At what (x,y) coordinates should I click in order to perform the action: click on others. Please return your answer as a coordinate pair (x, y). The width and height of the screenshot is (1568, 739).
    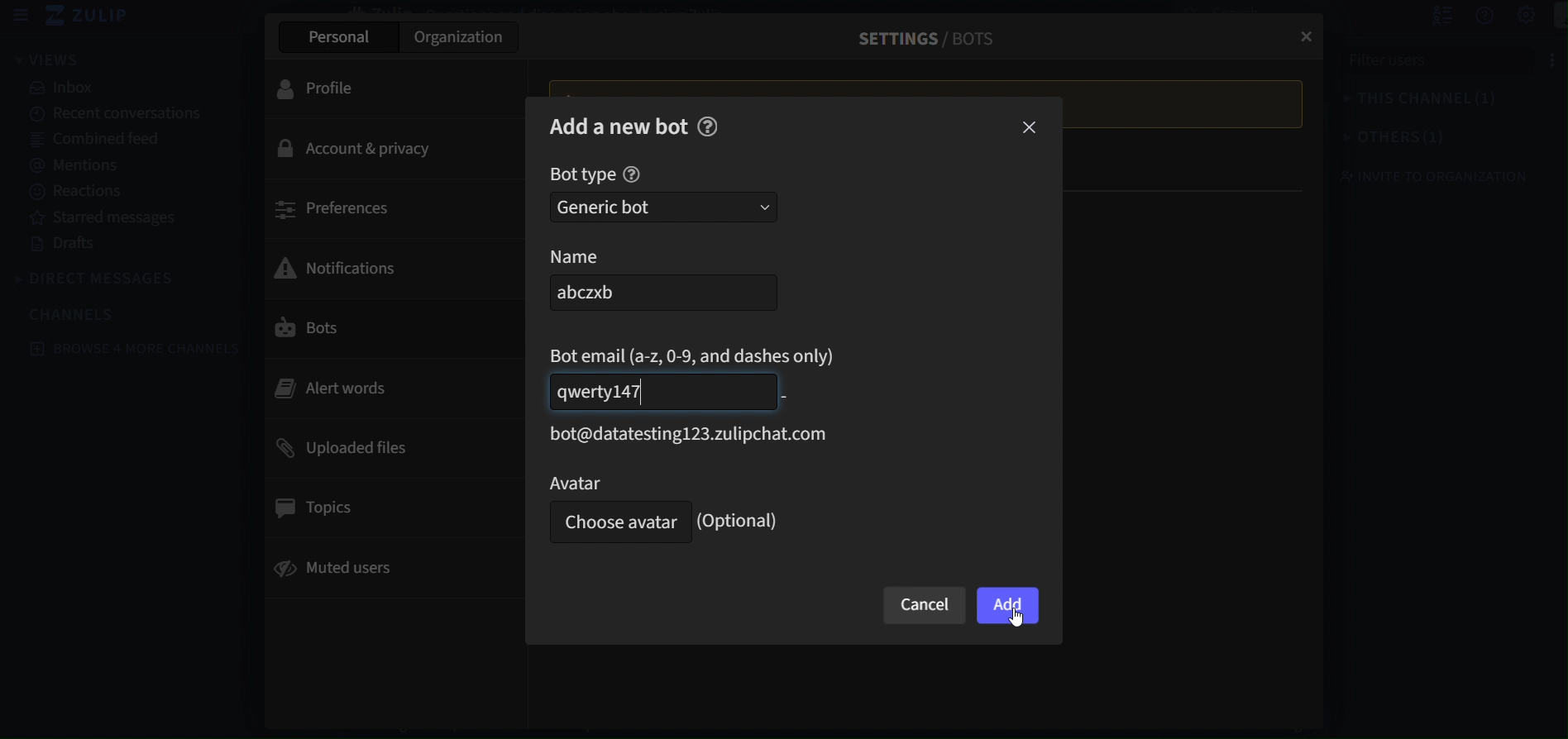
    Looking at the image, I should click on (1377, 139).